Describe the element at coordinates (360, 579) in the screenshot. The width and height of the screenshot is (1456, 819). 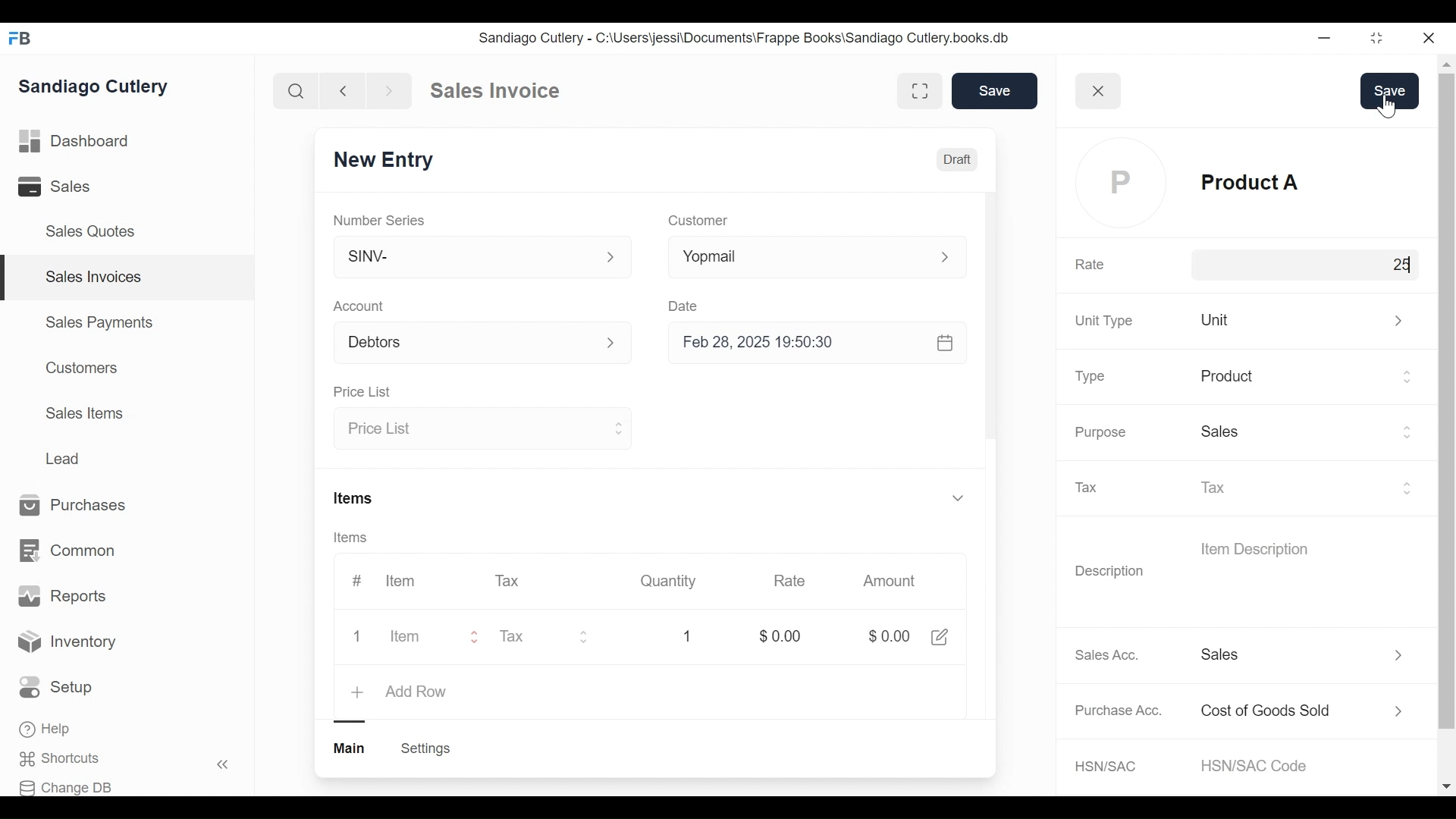
I see `#` at that location.